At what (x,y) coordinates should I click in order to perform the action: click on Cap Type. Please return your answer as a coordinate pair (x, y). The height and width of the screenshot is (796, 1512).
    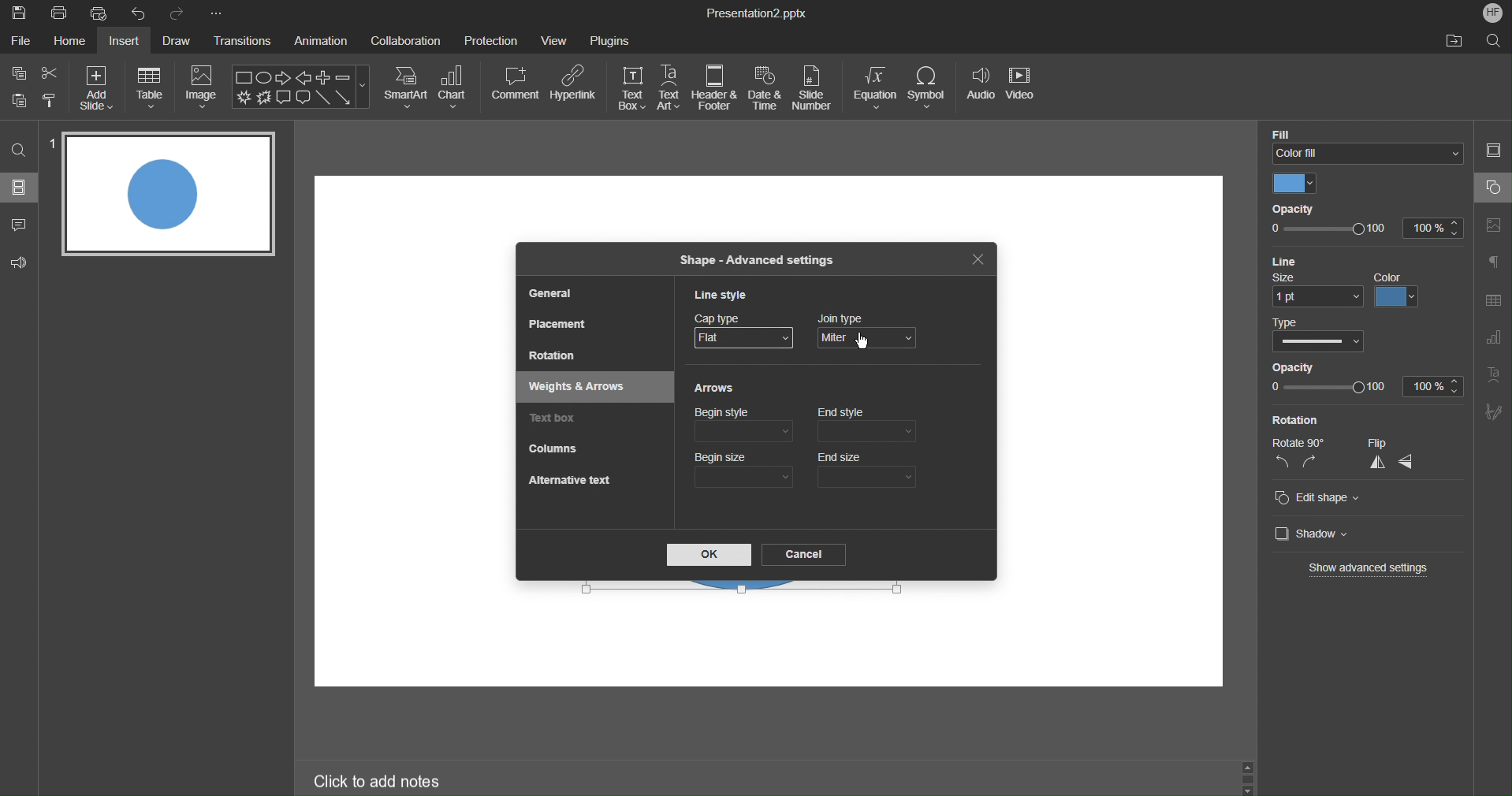
    Looking at the image, I should click on (744, 333).